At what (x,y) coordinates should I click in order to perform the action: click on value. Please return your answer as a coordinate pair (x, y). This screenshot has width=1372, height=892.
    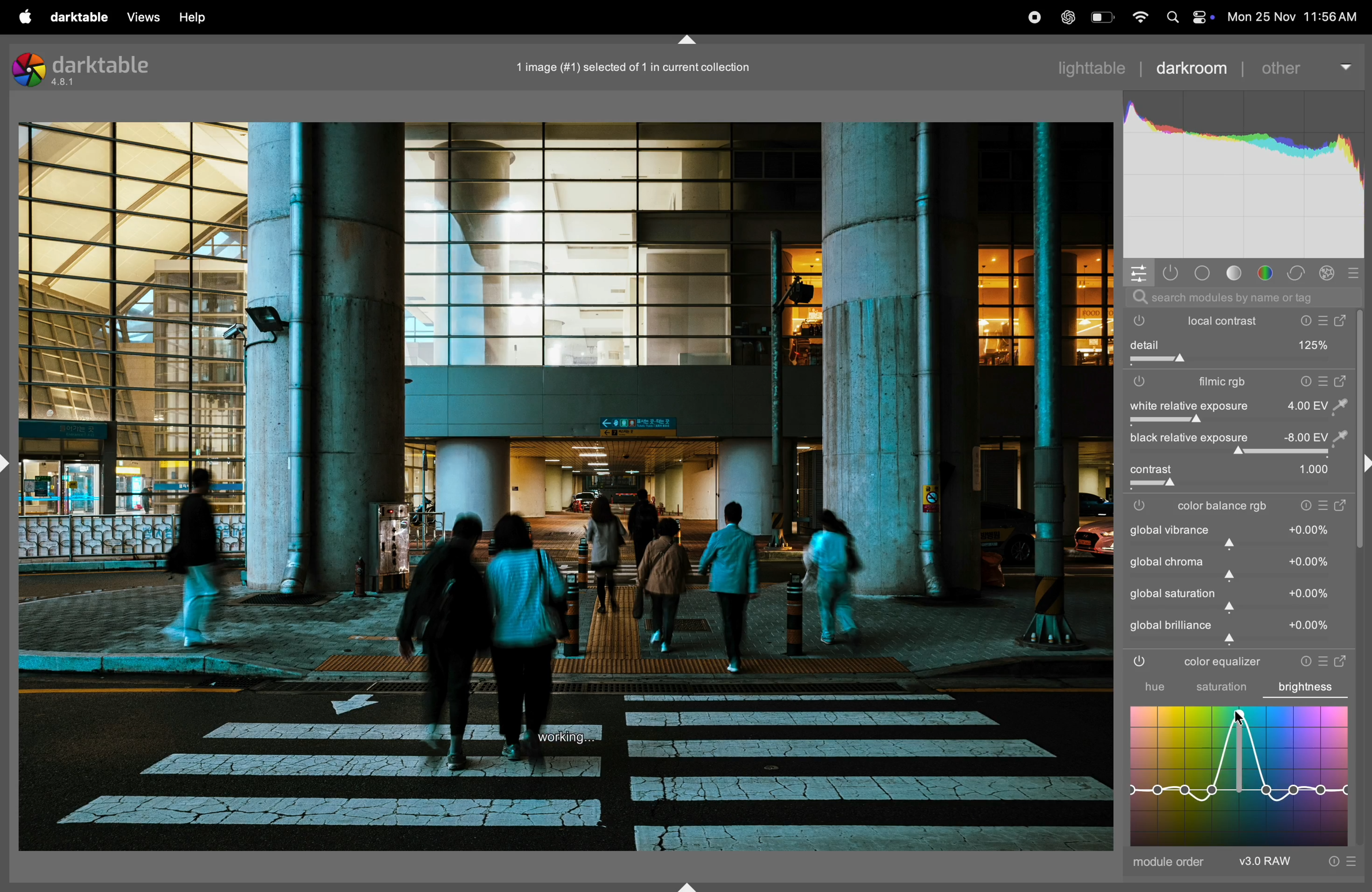
    Looking at the image, I should click on (1310, 626).